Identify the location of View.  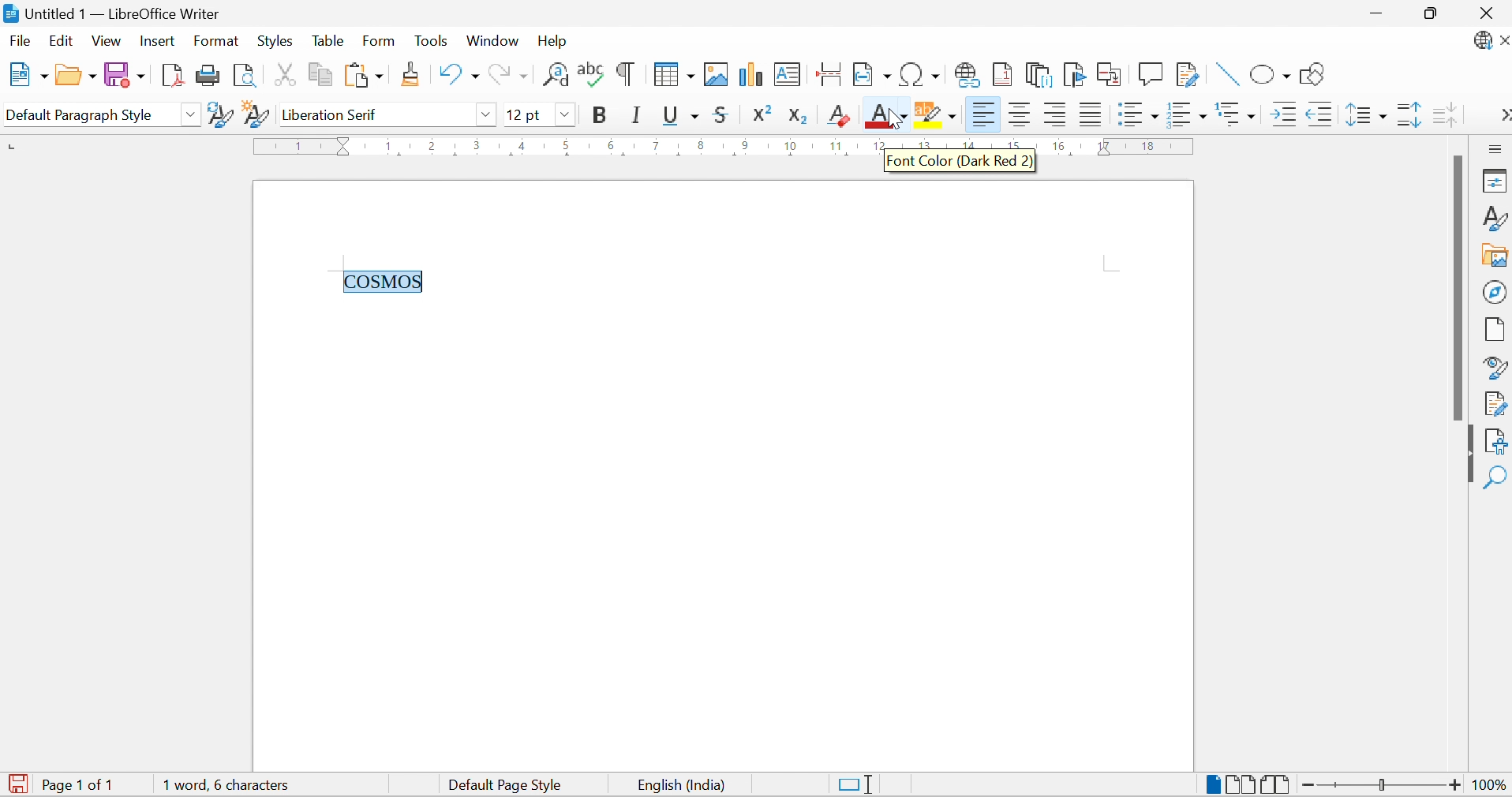
(107, 41).